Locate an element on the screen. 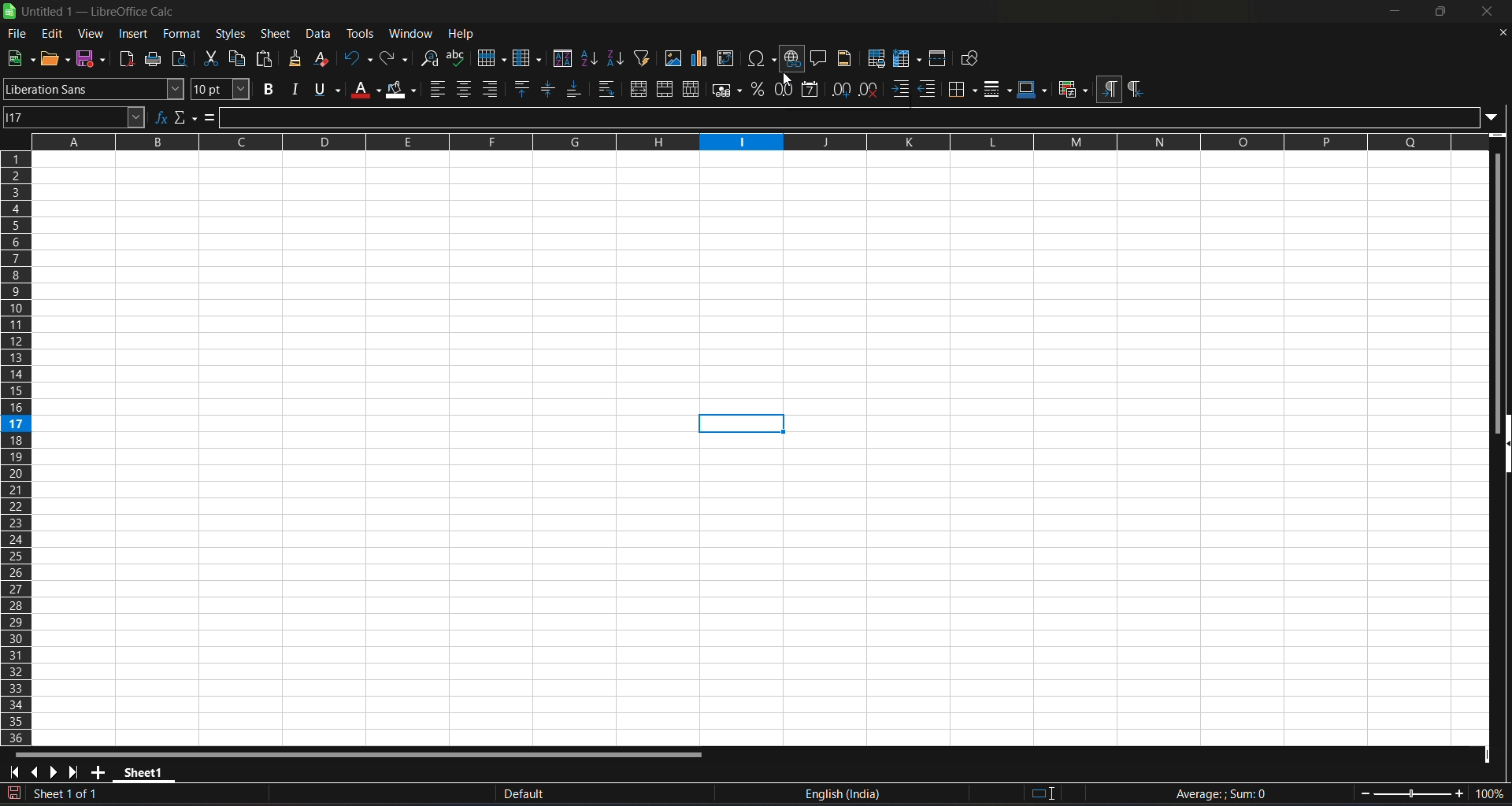 The width and height of the screenshot is (1512, 806). format as currency is located at coordinates (725, 89).